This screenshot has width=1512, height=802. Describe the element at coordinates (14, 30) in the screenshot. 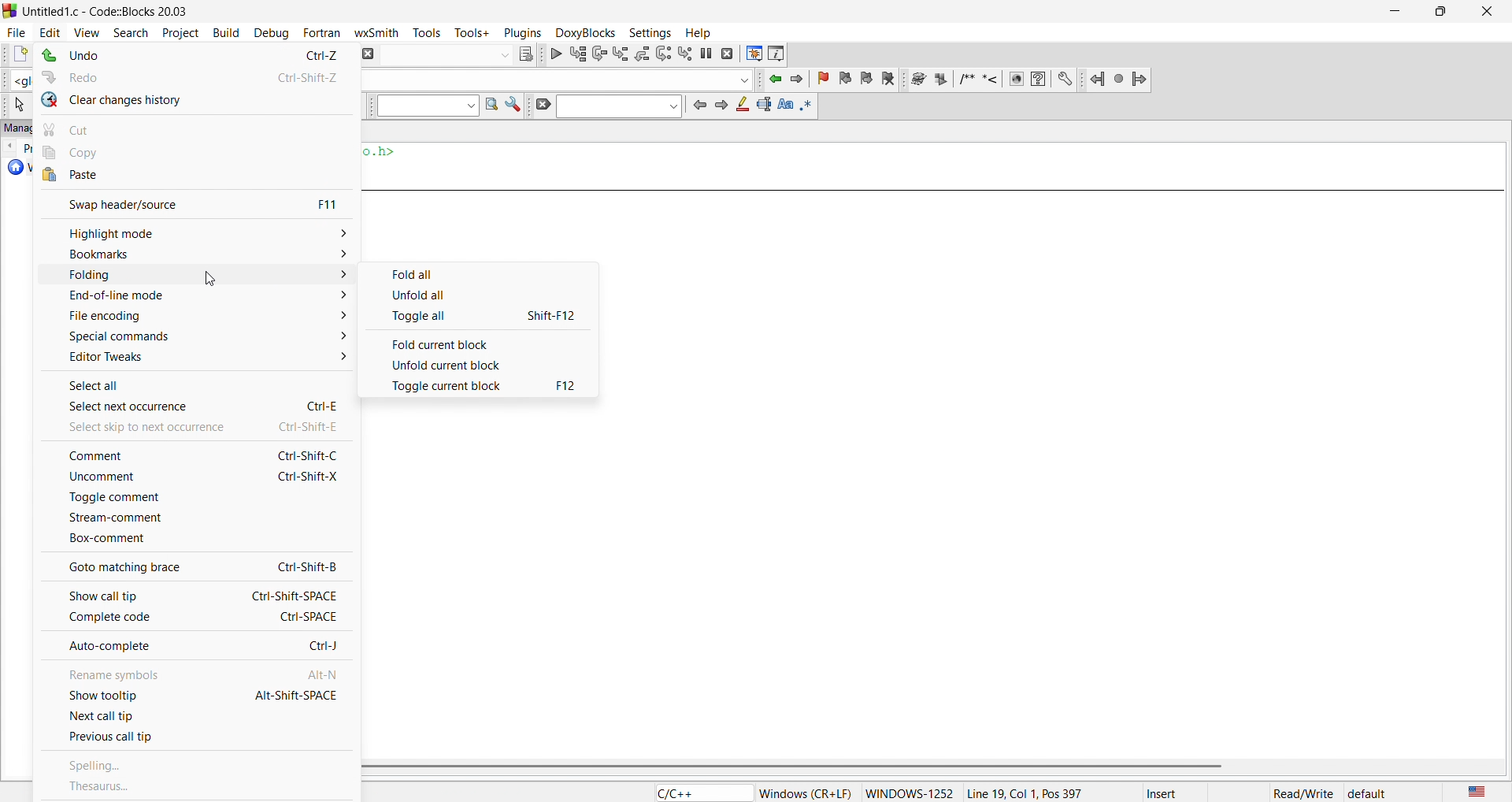

I see `file` at that location.